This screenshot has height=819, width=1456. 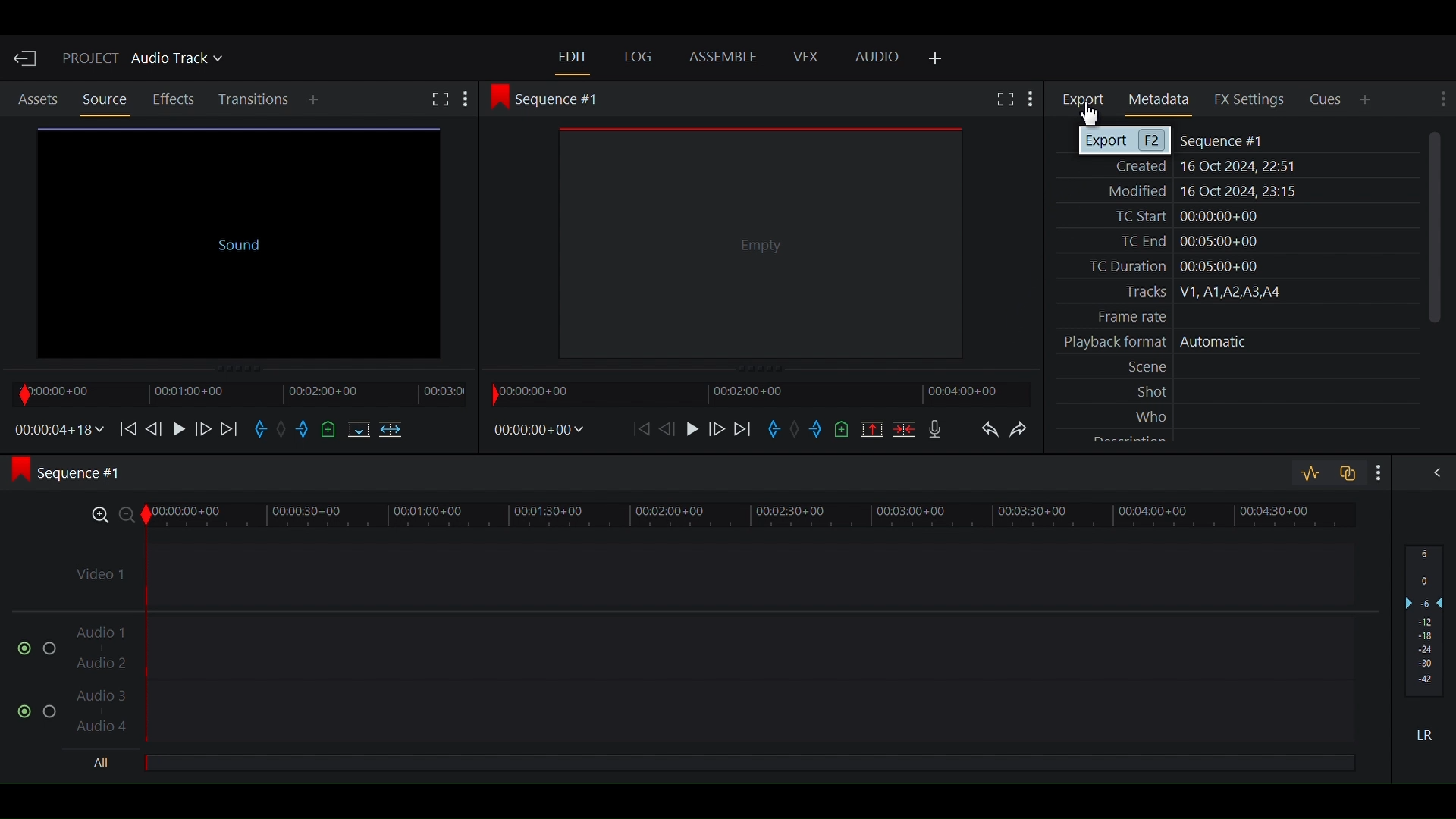 I want to click on LR, so click(x=1430, y=735).